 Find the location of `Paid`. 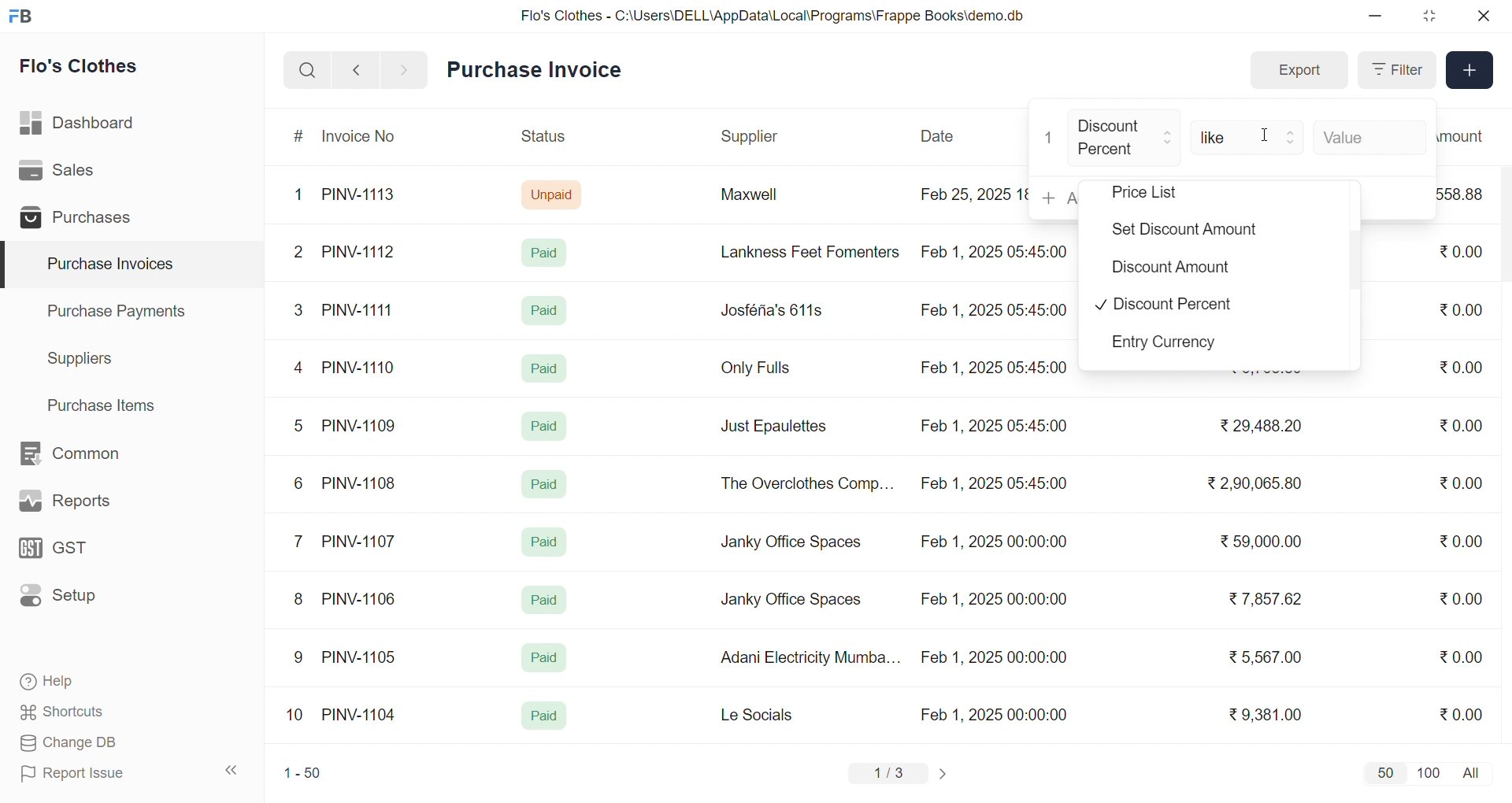

Paid is located at coordinates (544, 716).